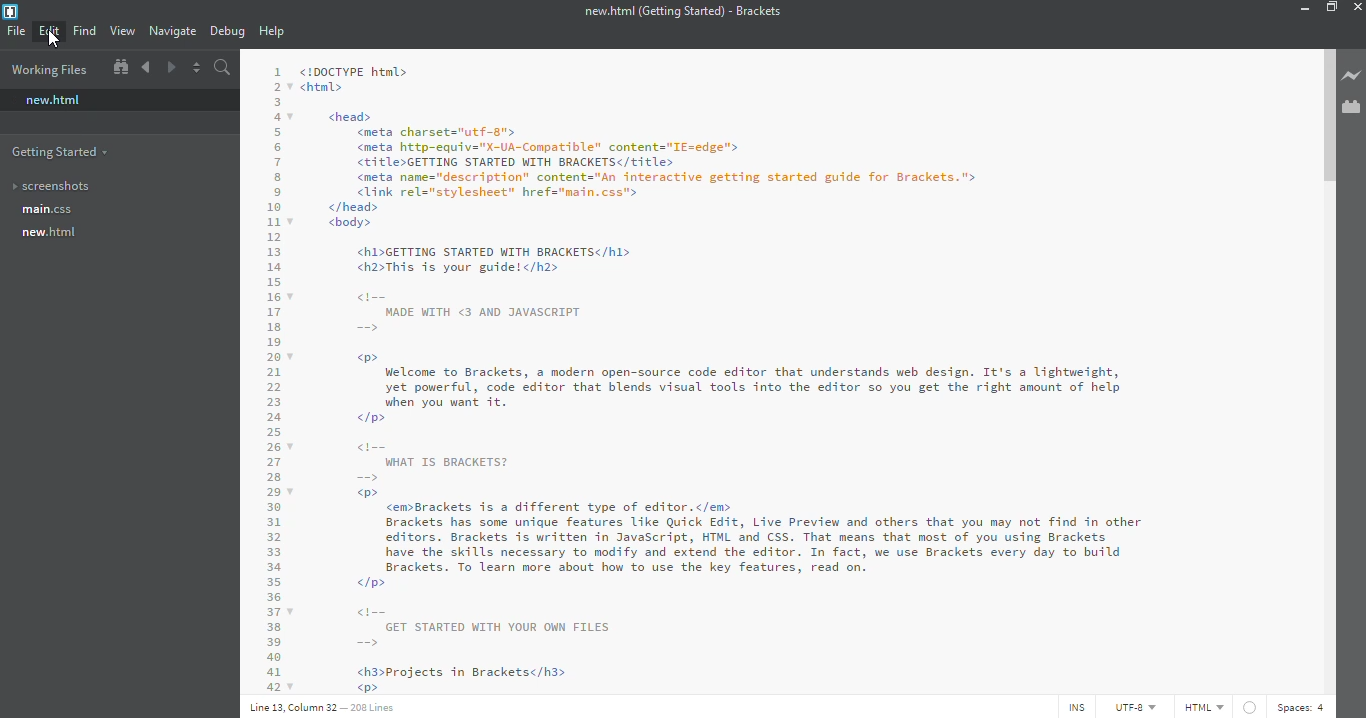 Image resolution: width=1366 pixels, height=718 pixels. What do you see at coordinates (1331, 6) in the screenshot?
I see `maximize` at bounding box center [1331, 6].